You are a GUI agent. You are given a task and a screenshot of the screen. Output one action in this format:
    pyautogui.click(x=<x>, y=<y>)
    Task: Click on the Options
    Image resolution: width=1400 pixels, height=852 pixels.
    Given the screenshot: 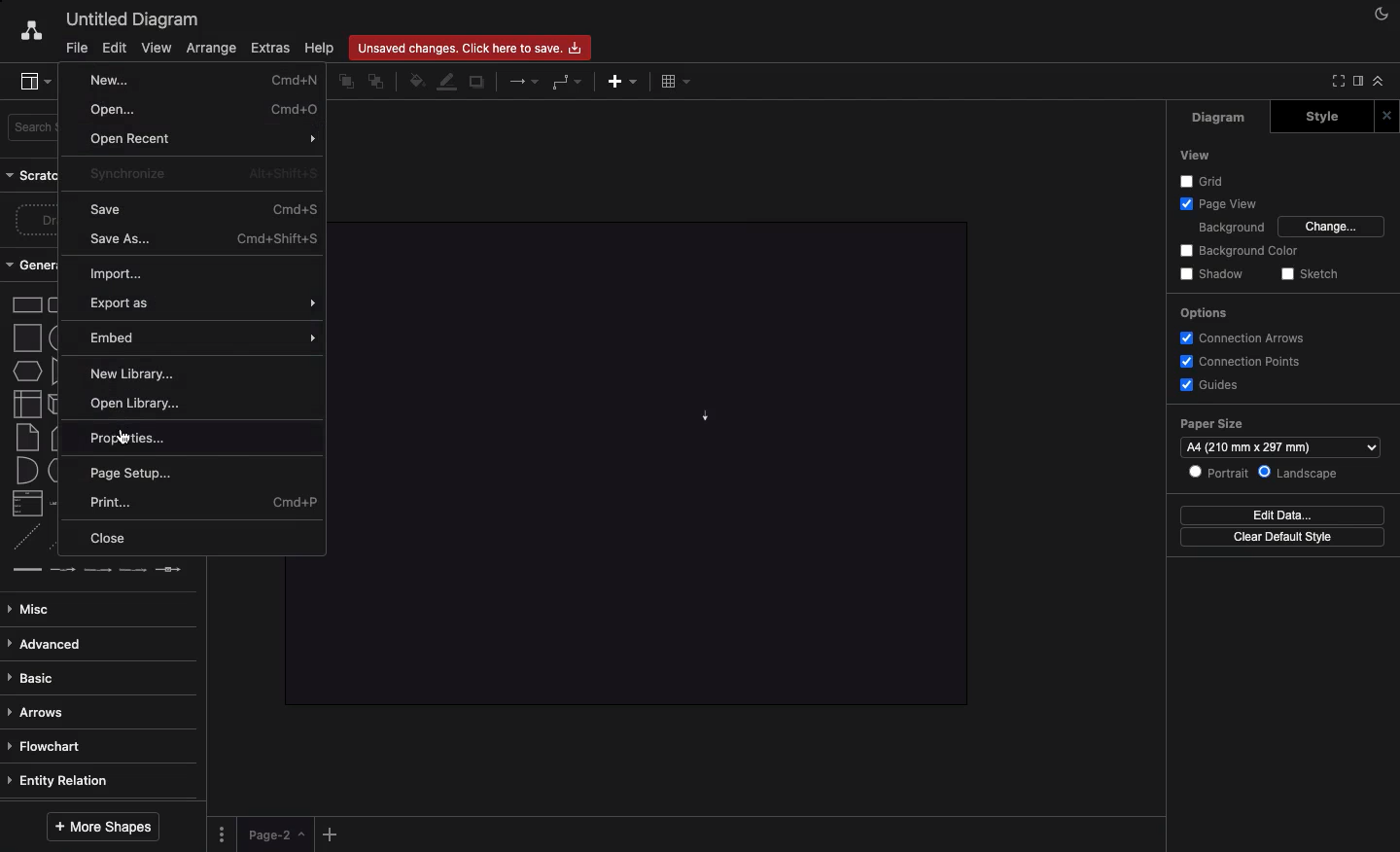 What is the action you would take?
    pyautogui.click(x=225, y=833)
    